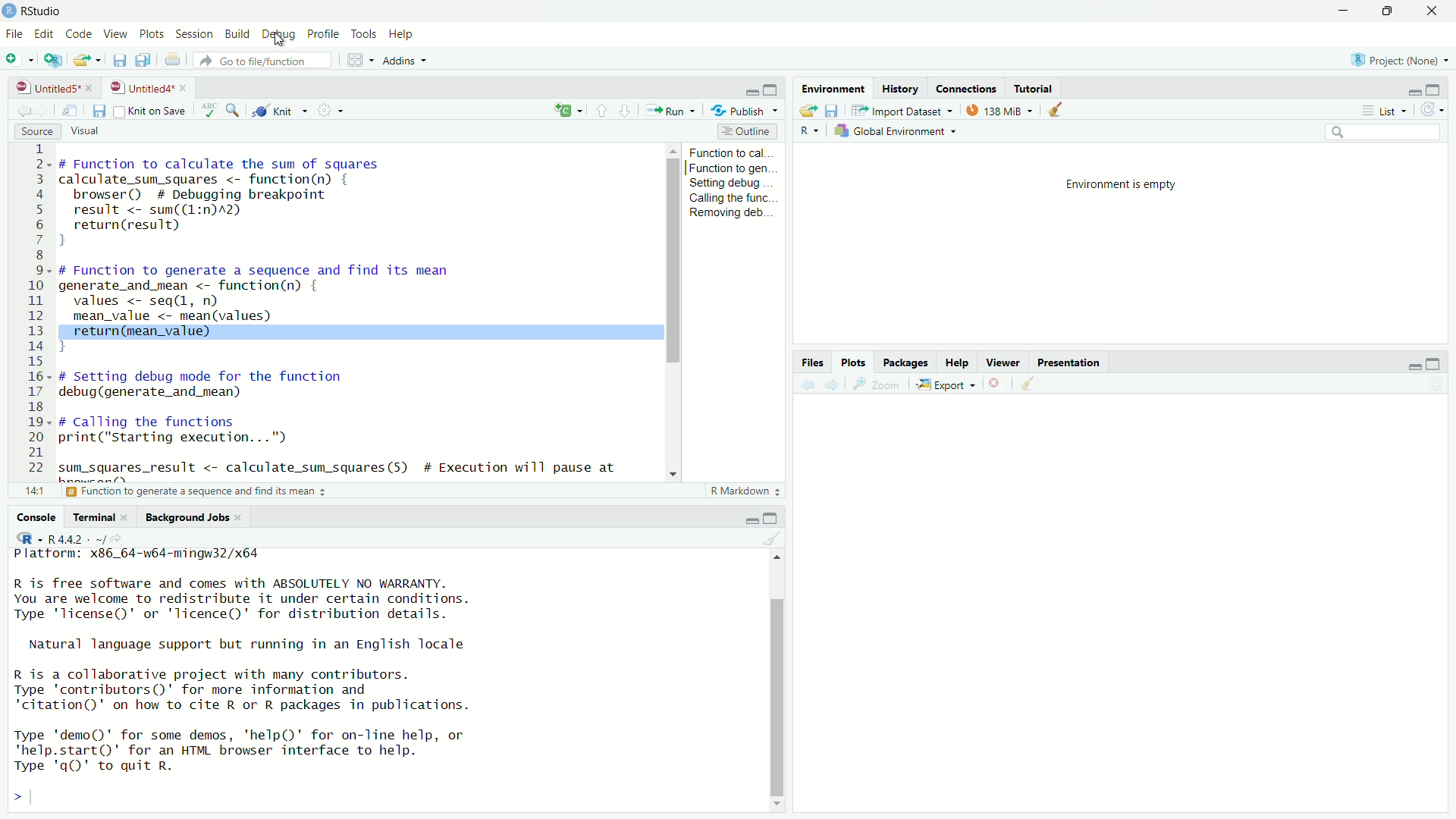 The width and height of the screenshot is (1456, 819). What do you see at coordinates (907, 111) in the screenshot?
I see `import dataset` at bounding box center [907, 111].